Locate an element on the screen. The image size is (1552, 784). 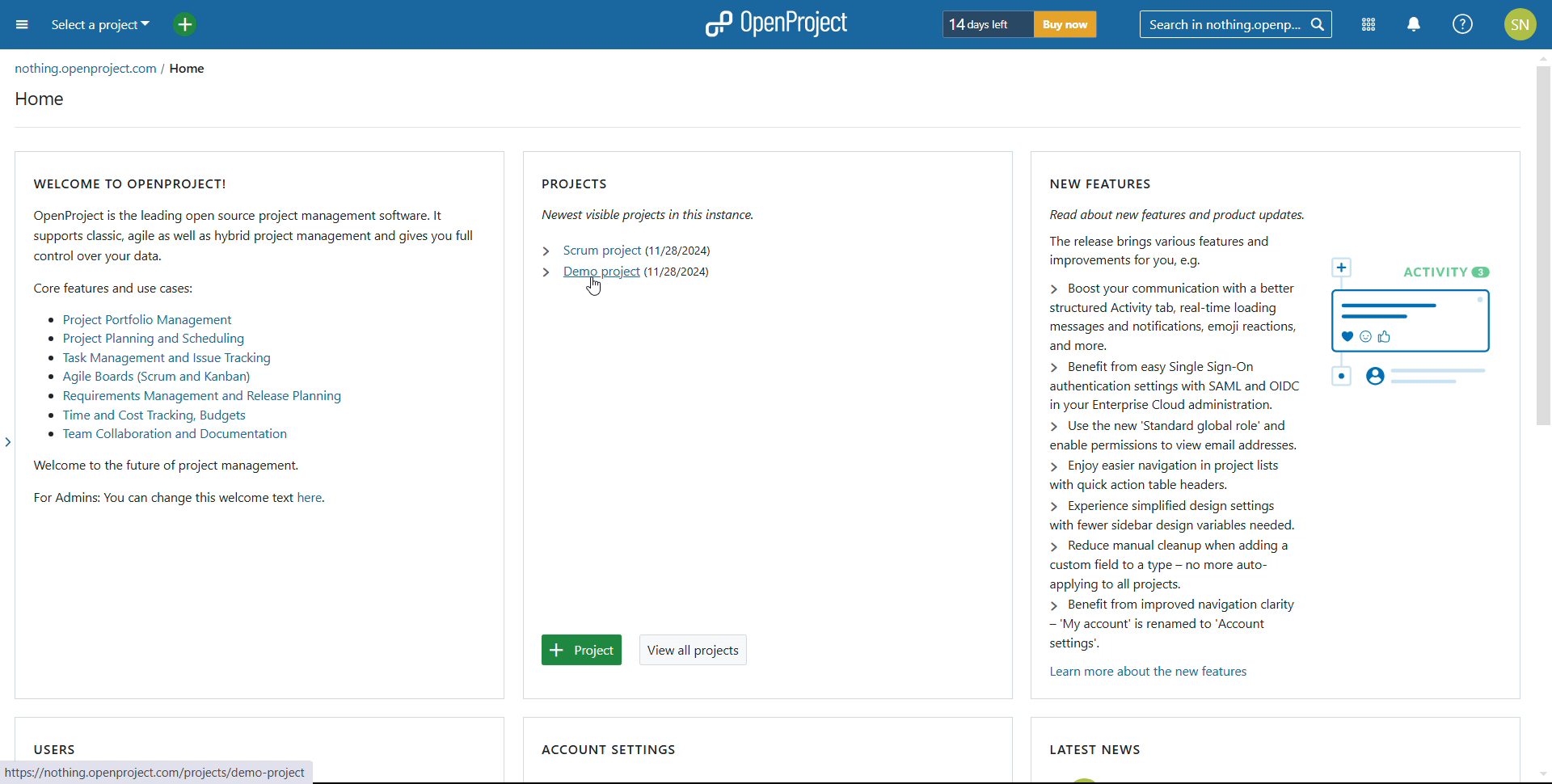
select a project is located at coordinates (99, 25).